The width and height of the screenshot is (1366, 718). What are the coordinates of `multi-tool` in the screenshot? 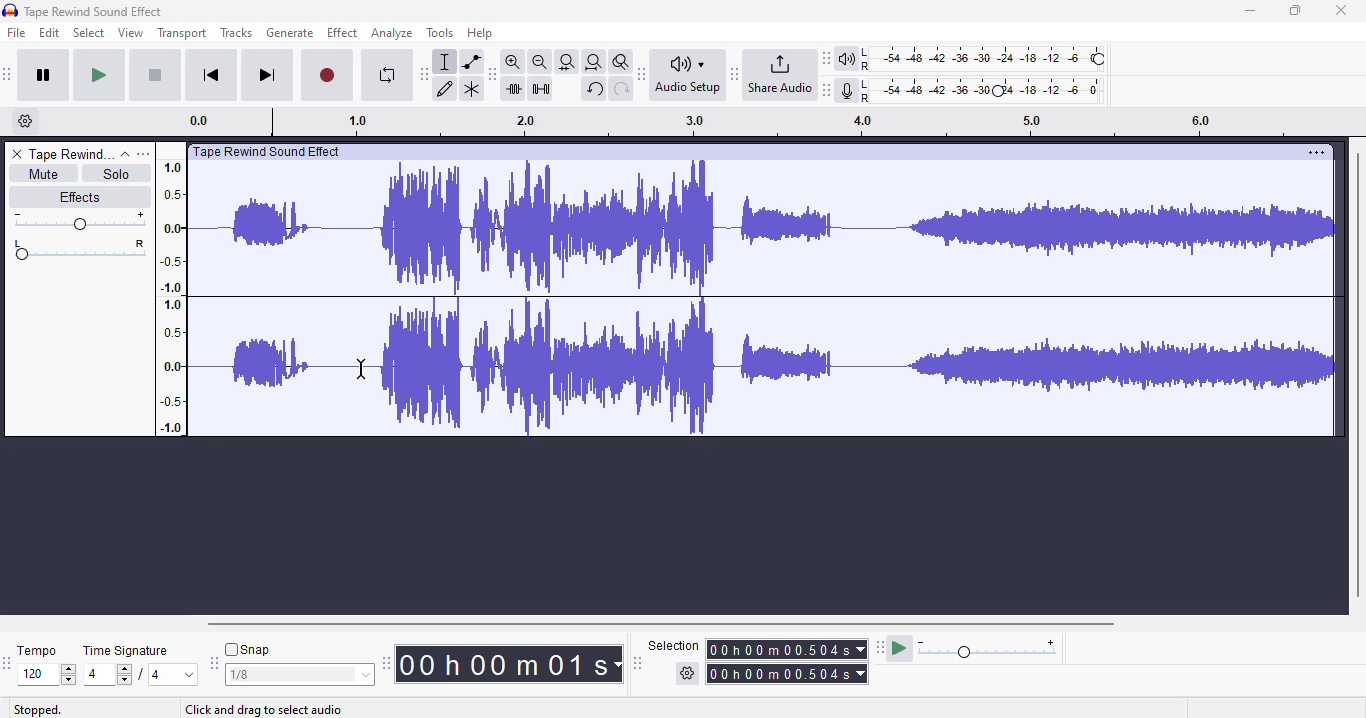 It's located at (472, 90).